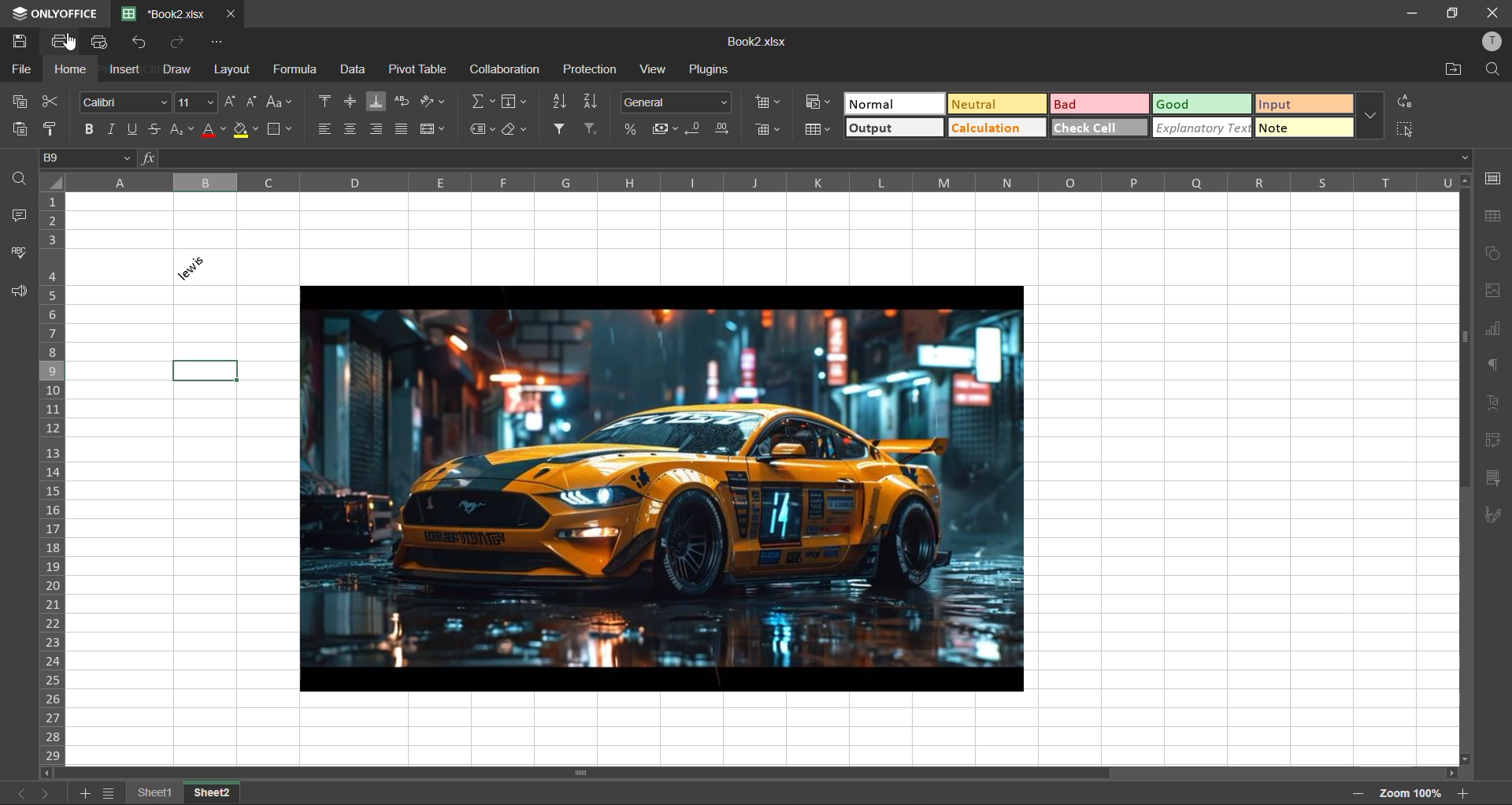 Image resolution: width=1512 pixels, height=805 pixels. What do you see at coordinates (1491, 217) in the screenshot?
I see `table` at bounding box center [1491, 217].